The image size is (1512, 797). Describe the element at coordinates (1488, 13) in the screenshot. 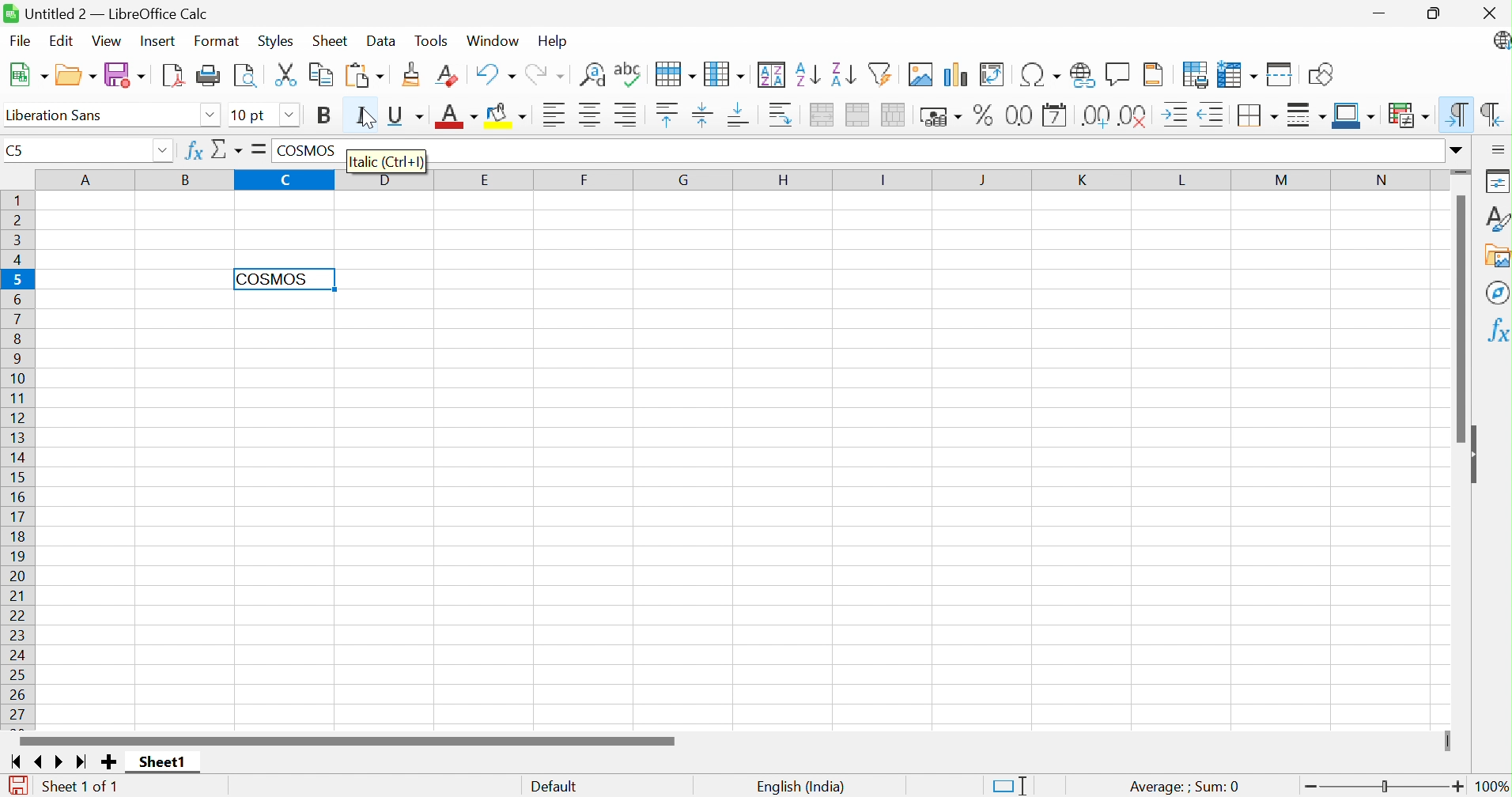

I see `Close` at that location.